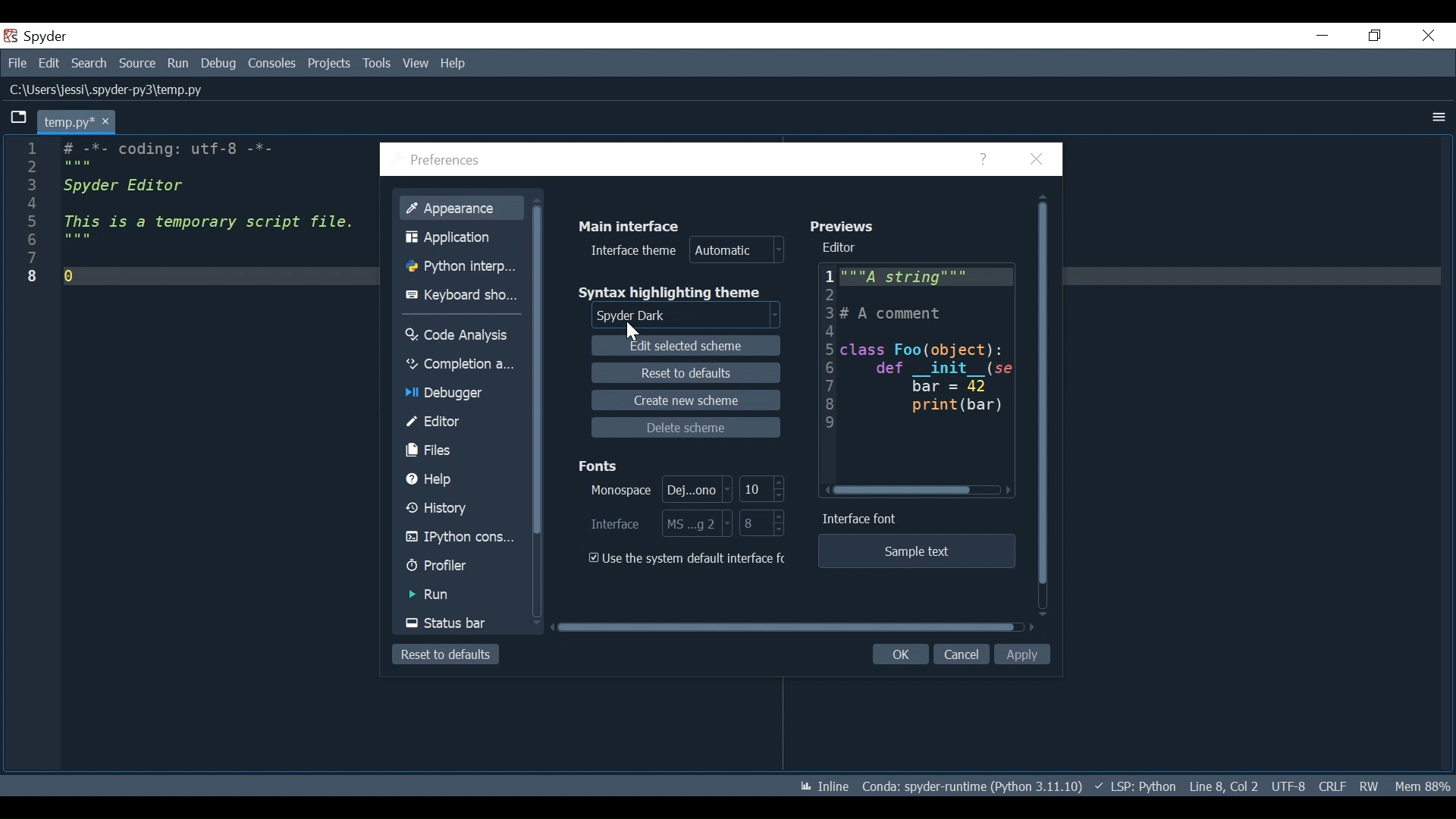 The image size is (1456, 819). I want to click on Vertical Scroll bar, so click(1044, 394).